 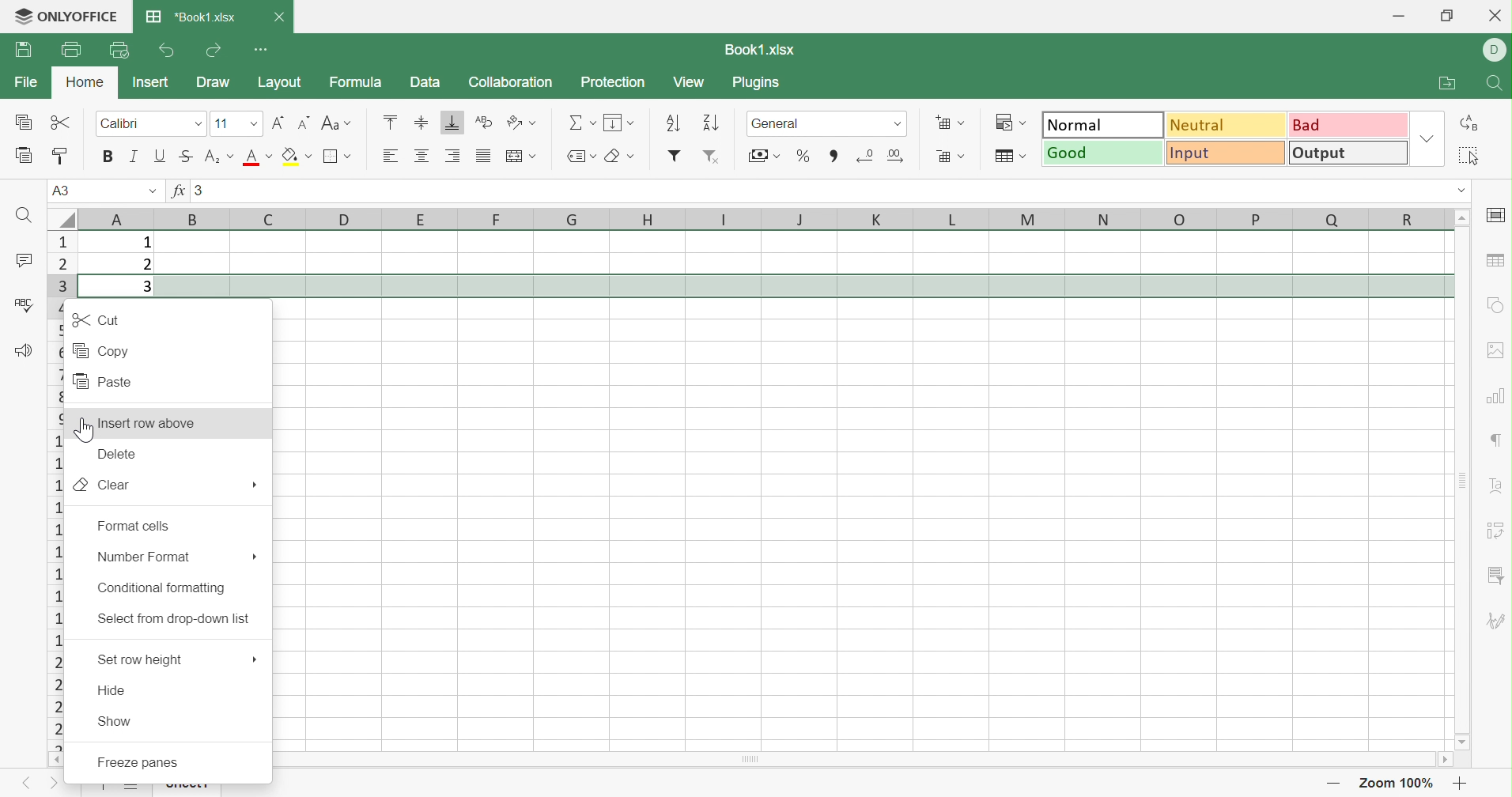 I want to click on Align Bottom, so click(x=453, y=123).